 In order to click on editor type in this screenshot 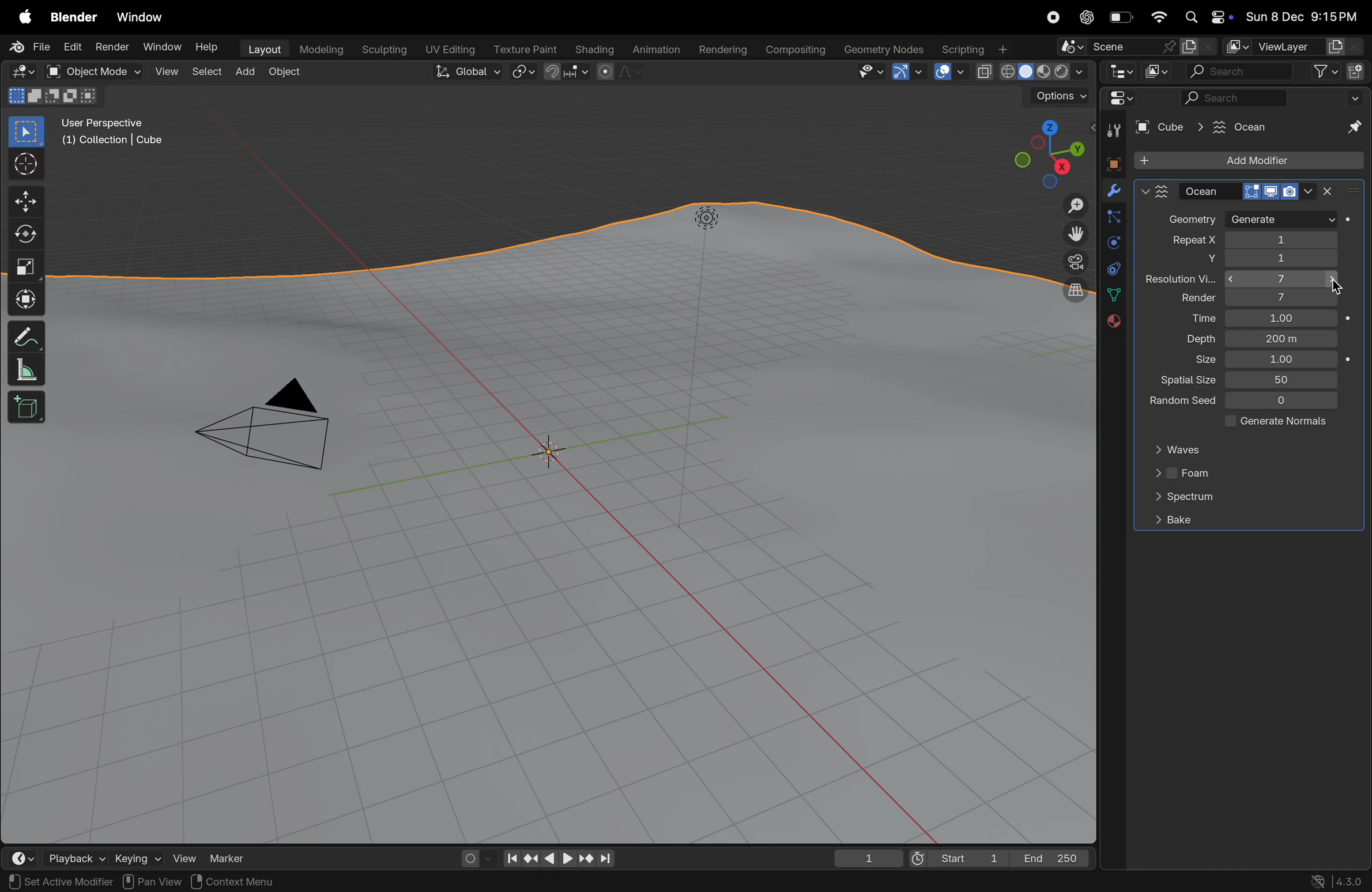, I will do `click(1118, 71)`.